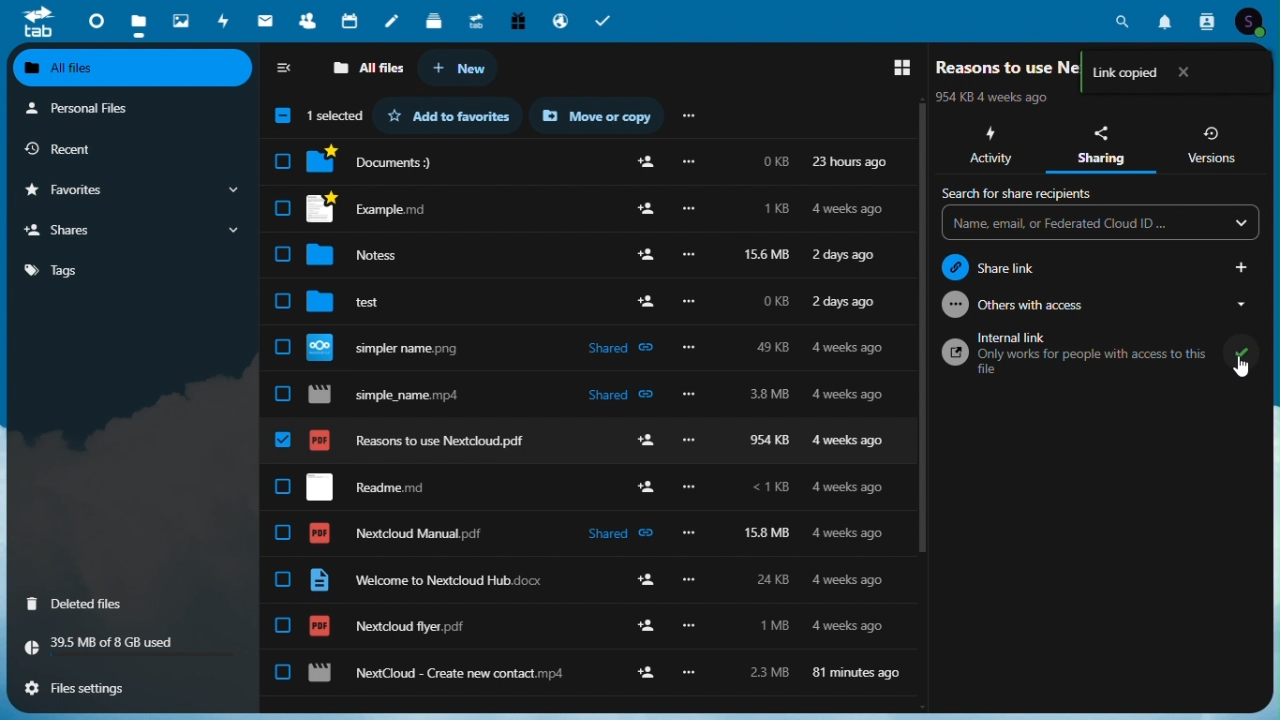 This screenshot has height=720, width=1280. I want to click on more options, so click(688, 532).